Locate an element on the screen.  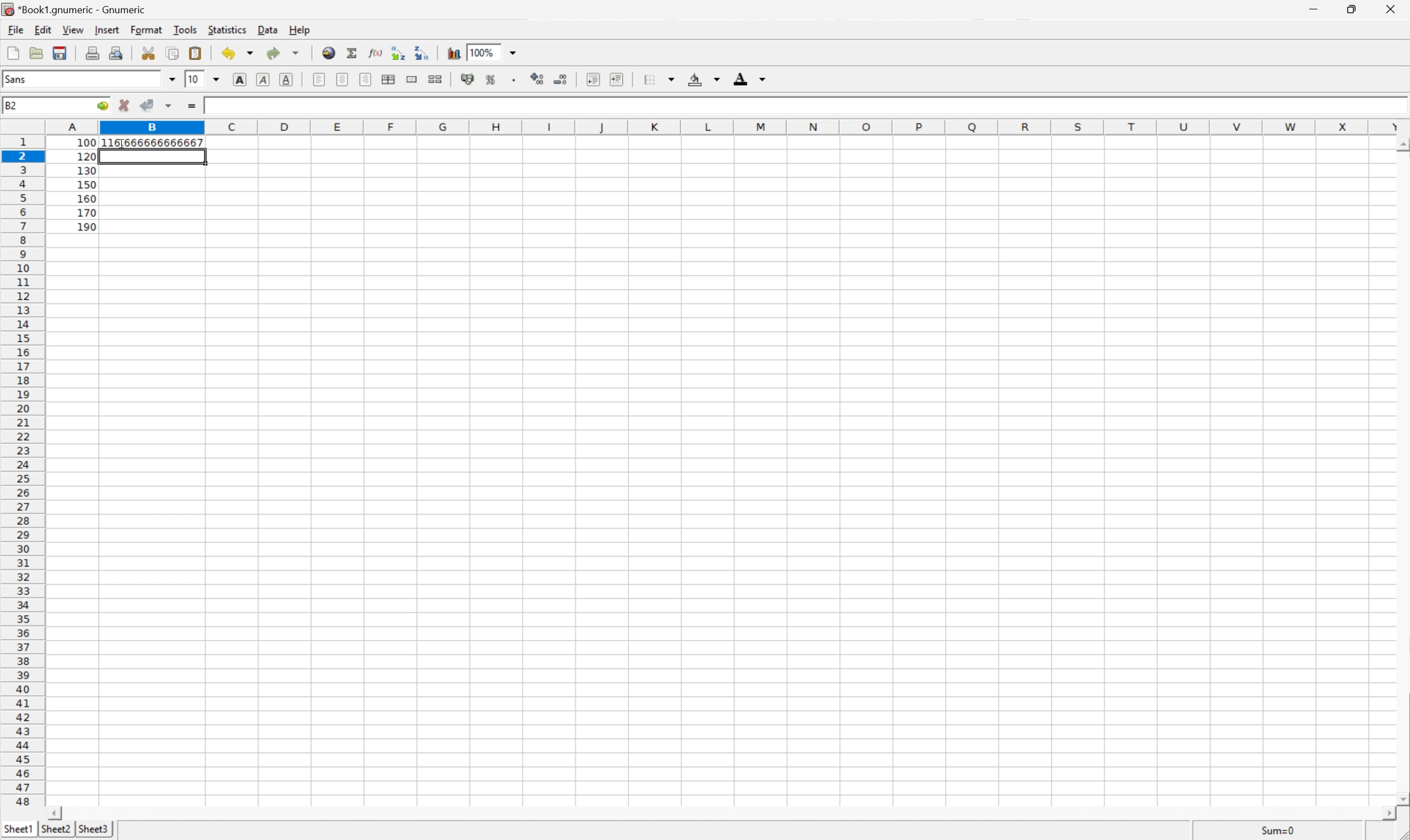
File is located at coordinates (15, 30).